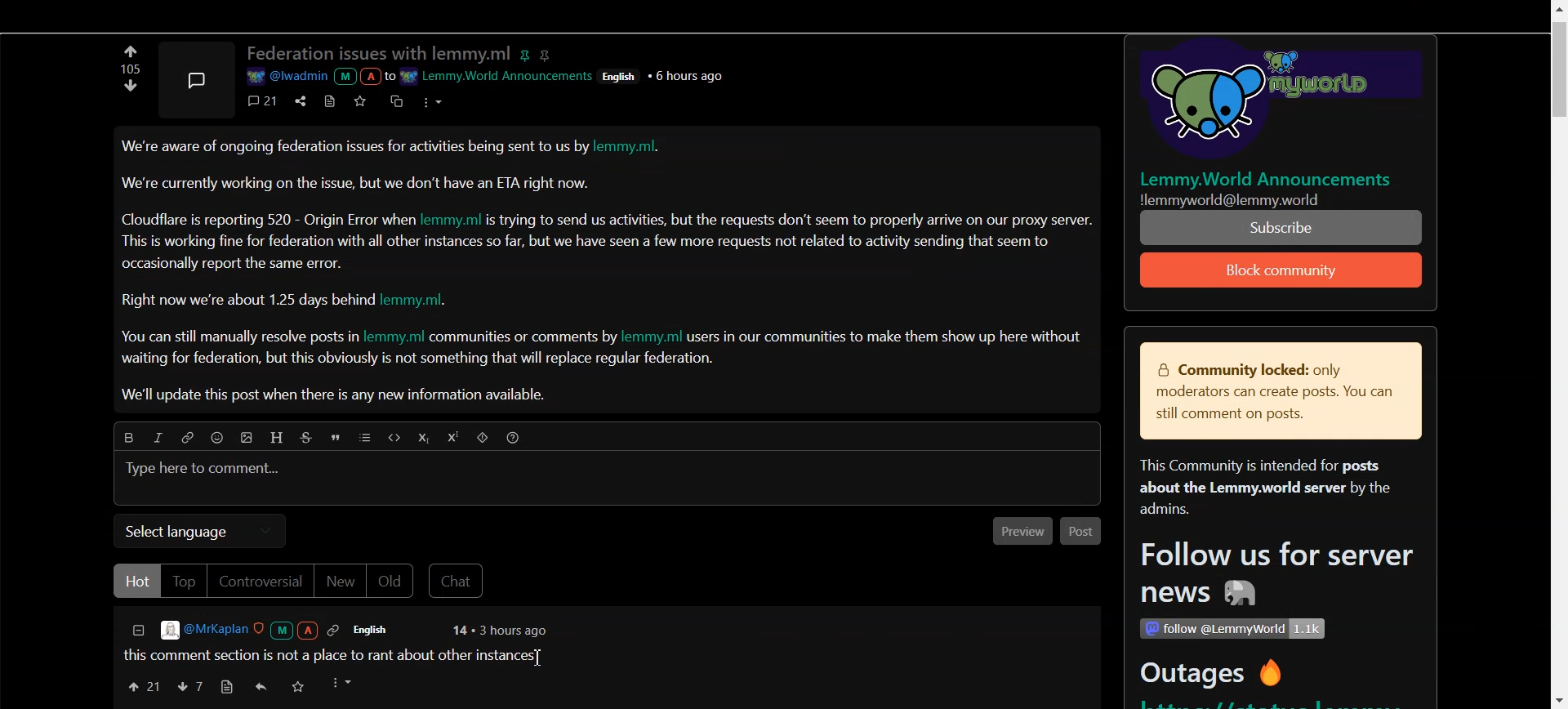 The width and height of the screenshot is (1568, 709). I want to click on Downvote, so click(189, 686).